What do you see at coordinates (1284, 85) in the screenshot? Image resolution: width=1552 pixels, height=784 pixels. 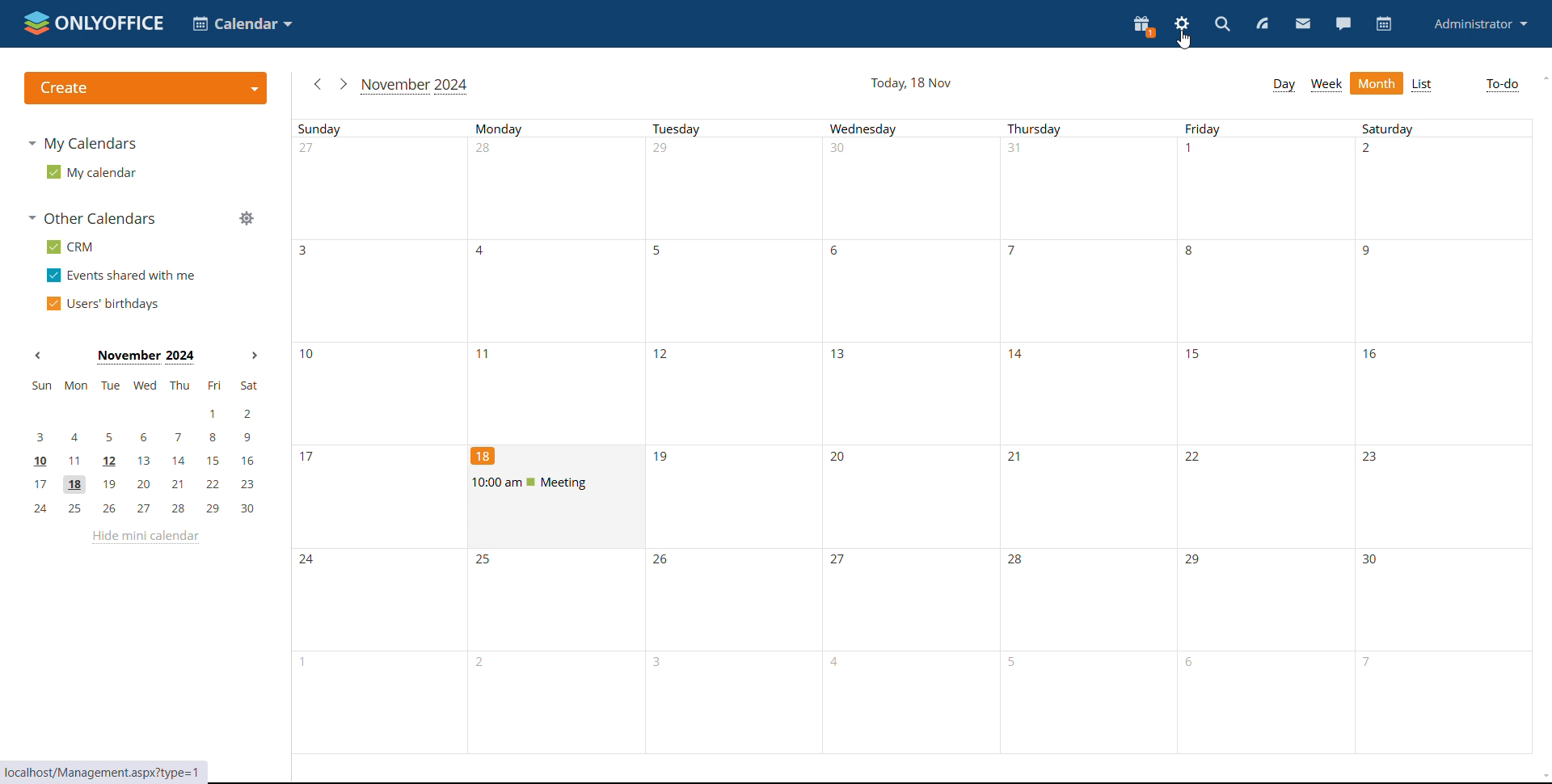 I see `day view` at bounding box center [1284, 85].